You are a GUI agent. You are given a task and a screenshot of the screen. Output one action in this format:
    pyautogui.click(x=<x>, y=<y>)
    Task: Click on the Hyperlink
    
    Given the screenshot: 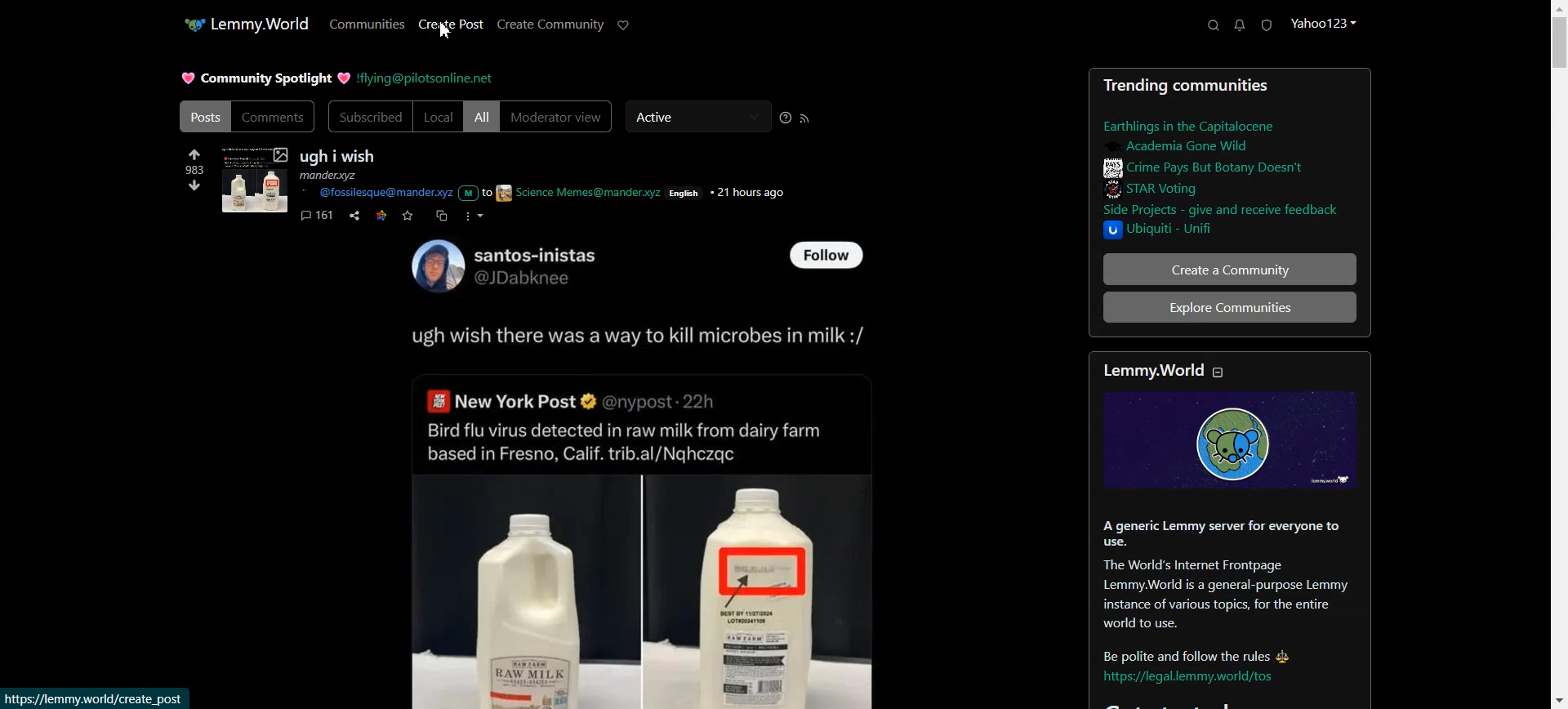 What is the action you would take?
    pyautogui.click(x=428, y=78)
    